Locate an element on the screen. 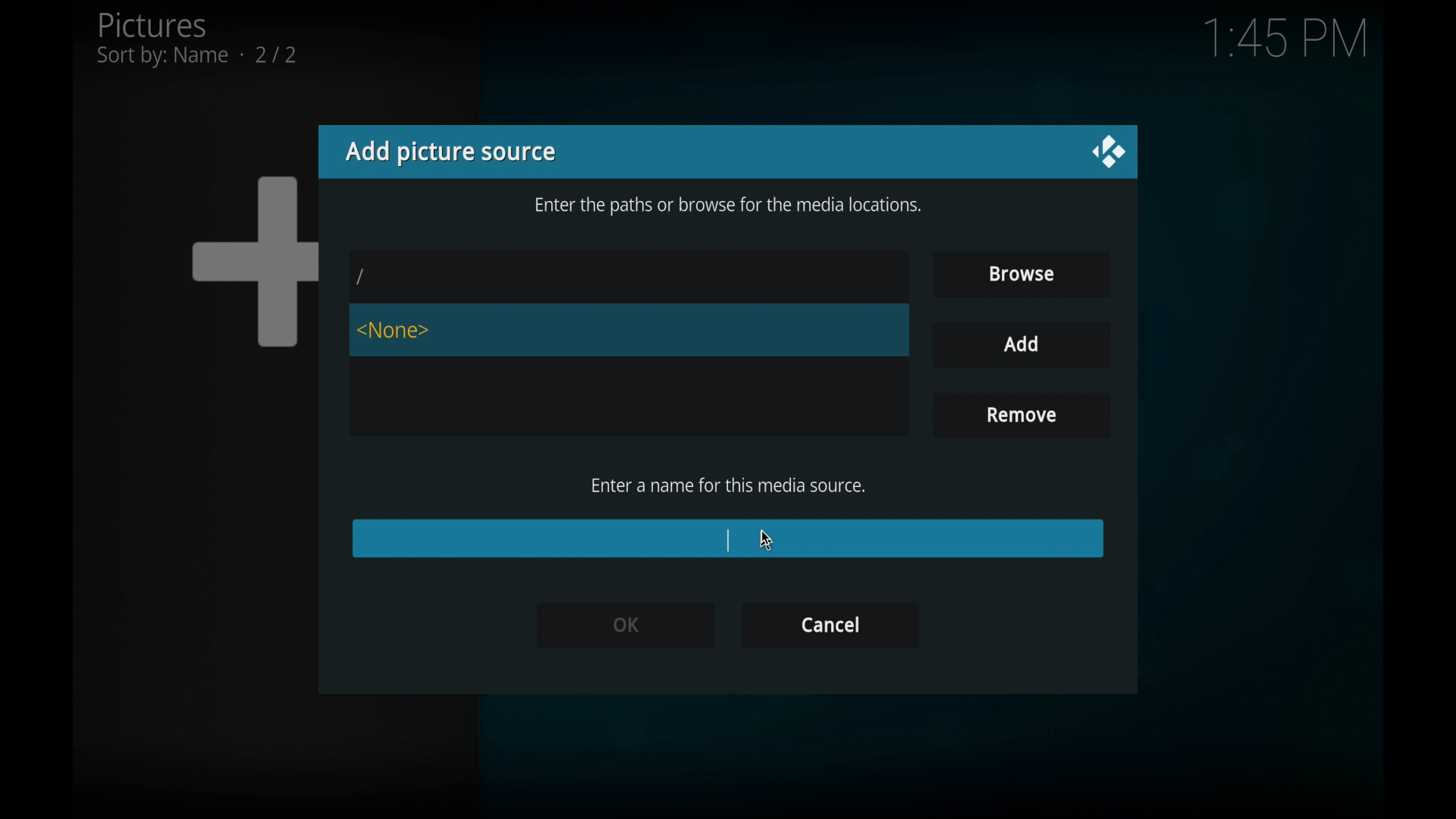 Image resolution: width=1456 pixels, height=819 pixels. remove is located at coordinates (1018, 416).